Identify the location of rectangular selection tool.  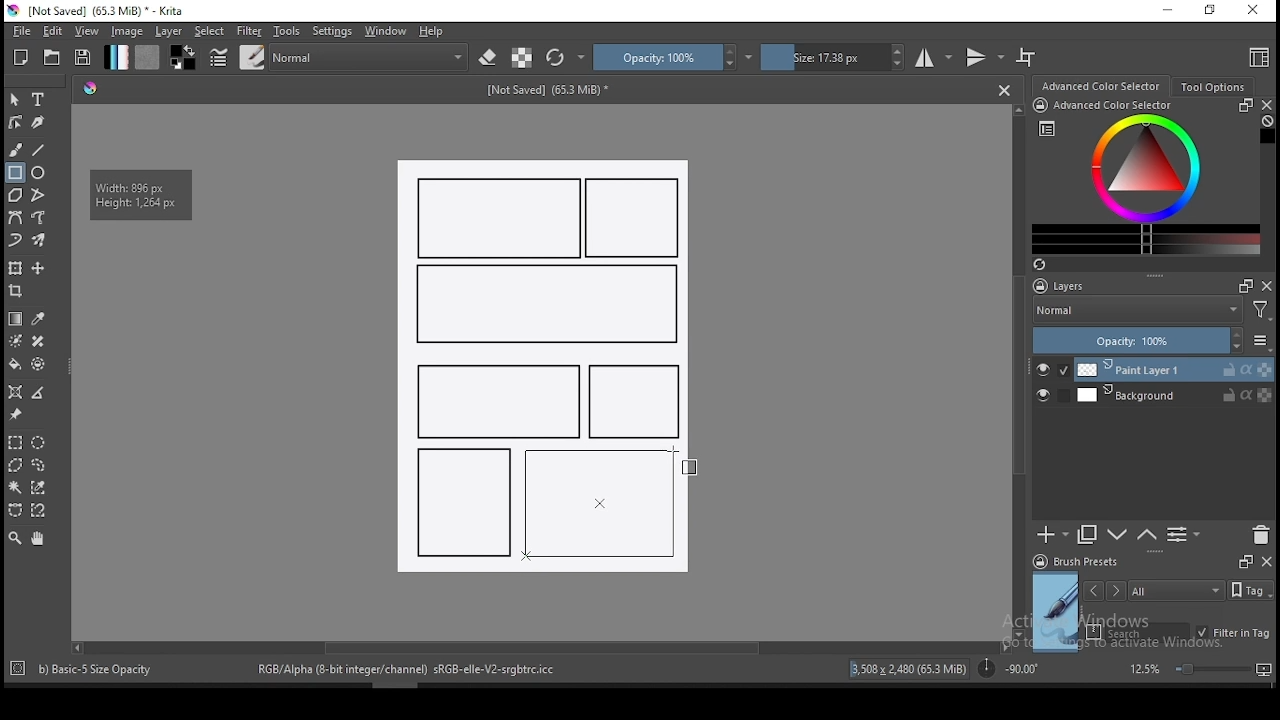
(14, 442).